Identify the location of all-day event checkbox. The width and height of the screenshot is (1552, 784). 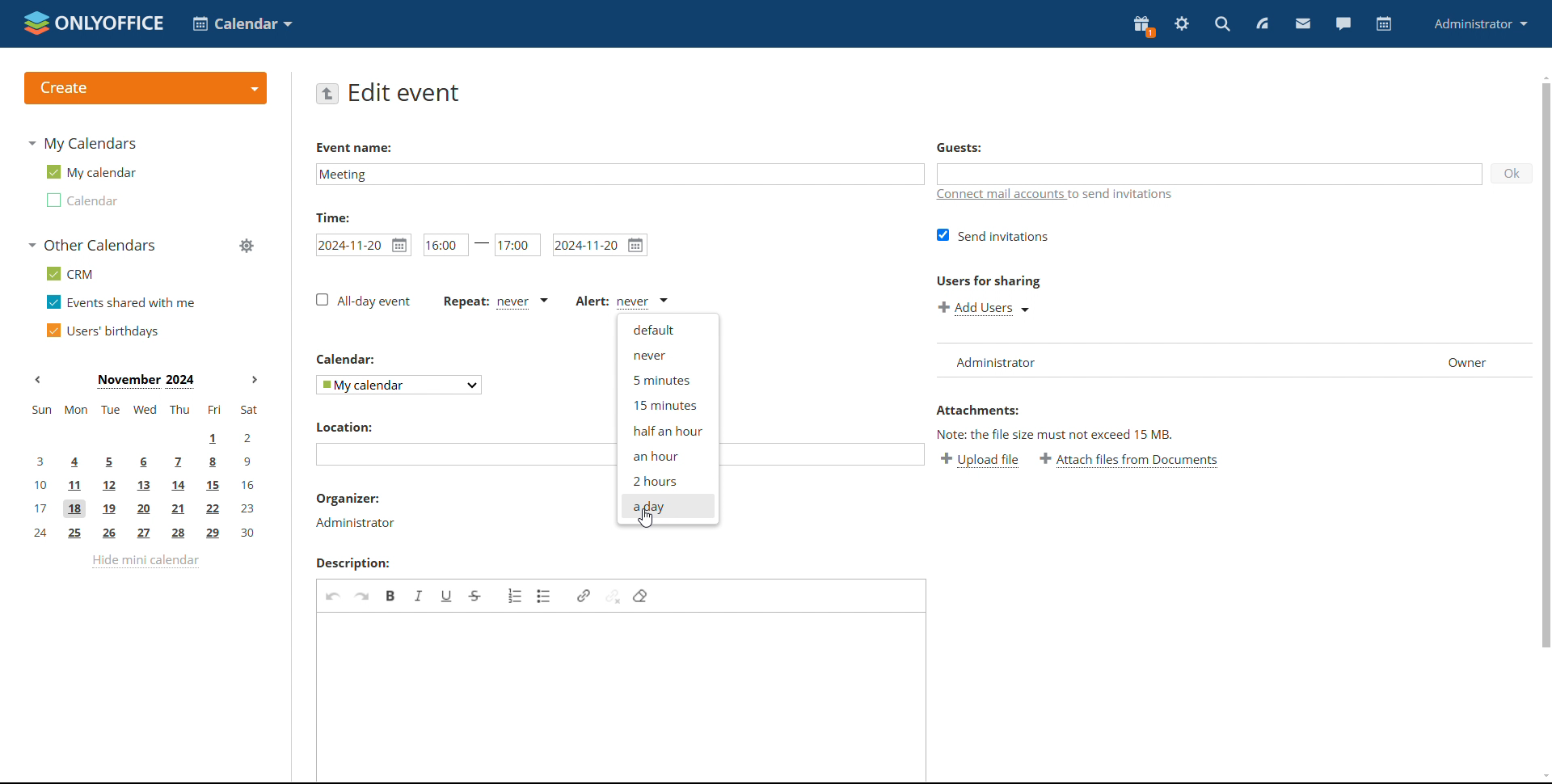
(364, 301).